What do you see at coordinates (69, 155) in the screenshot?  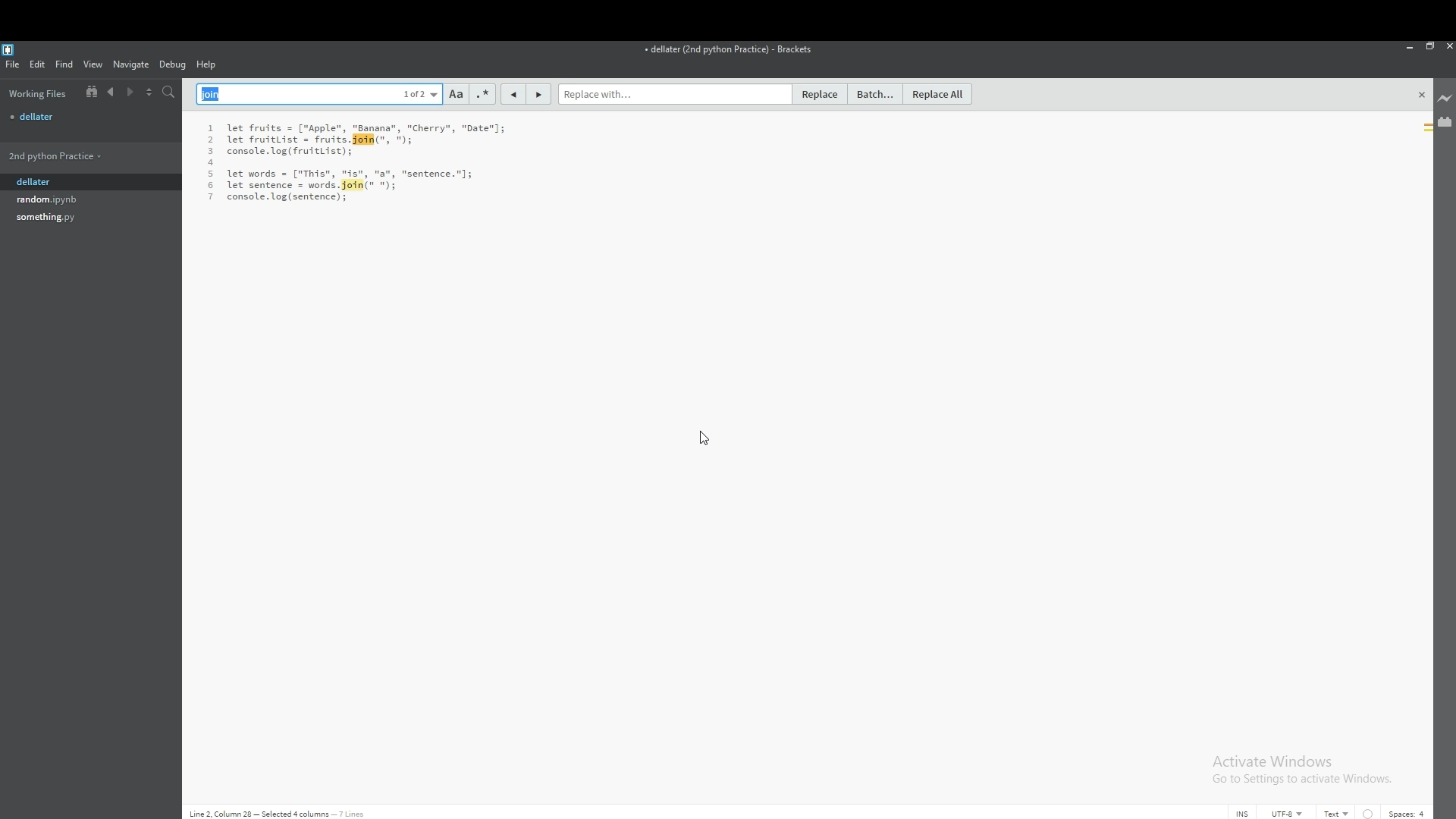 I see `folder` at bounding box center [69, 155].